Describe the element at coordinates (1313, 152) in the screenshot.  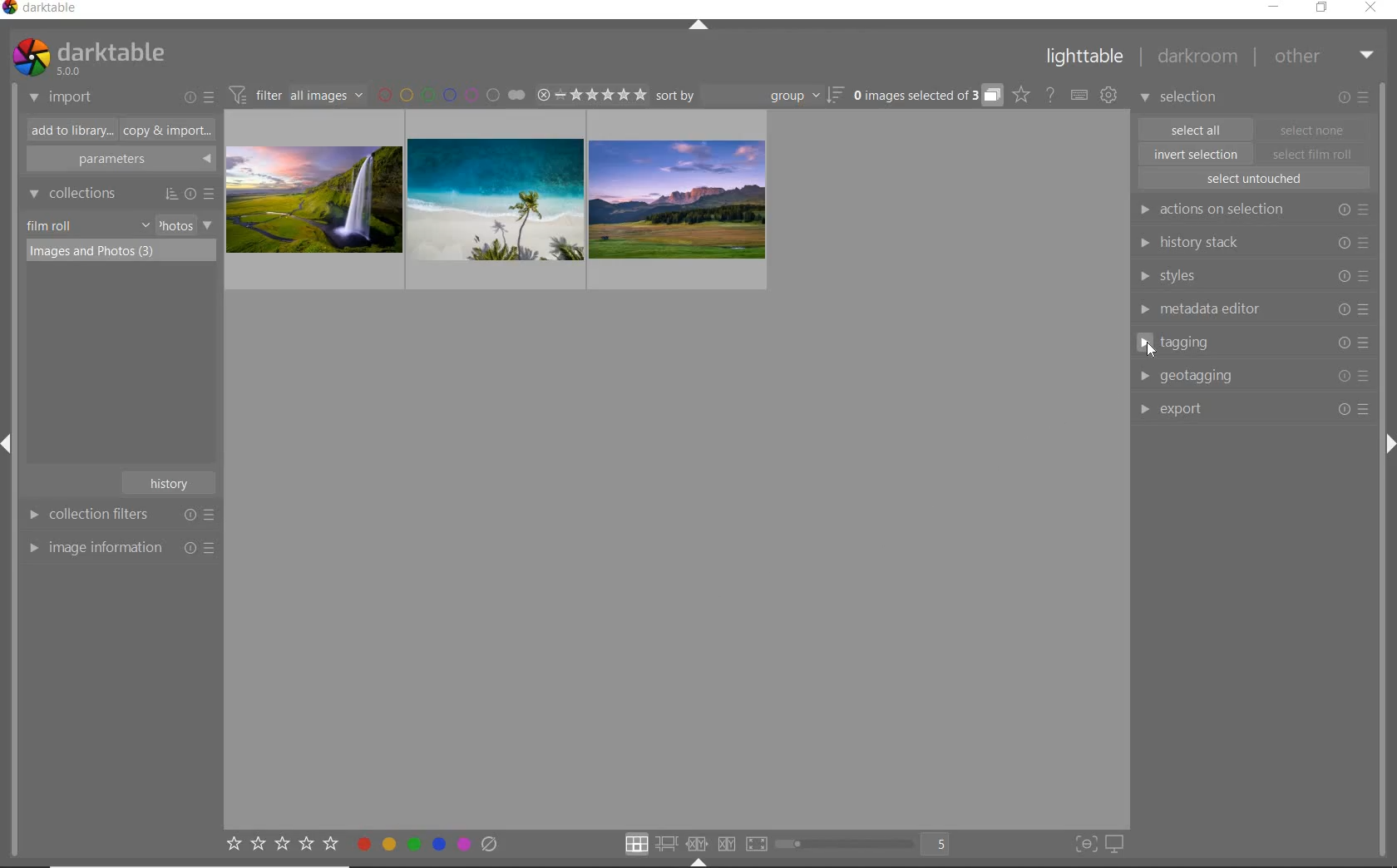
I see `select film roll` at that location.